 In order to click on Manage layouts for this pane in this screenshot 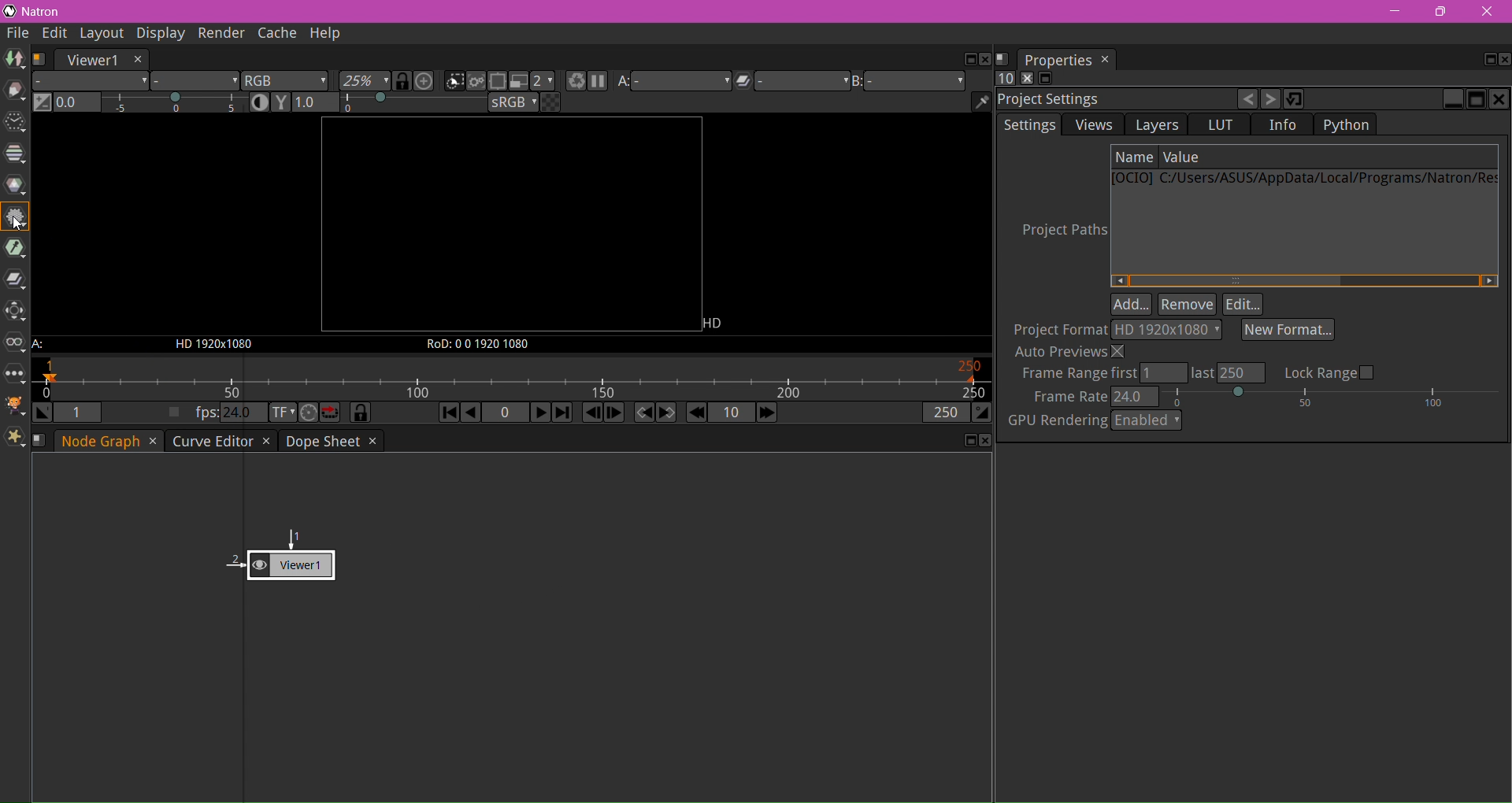, I will do `click(42, 439)`.